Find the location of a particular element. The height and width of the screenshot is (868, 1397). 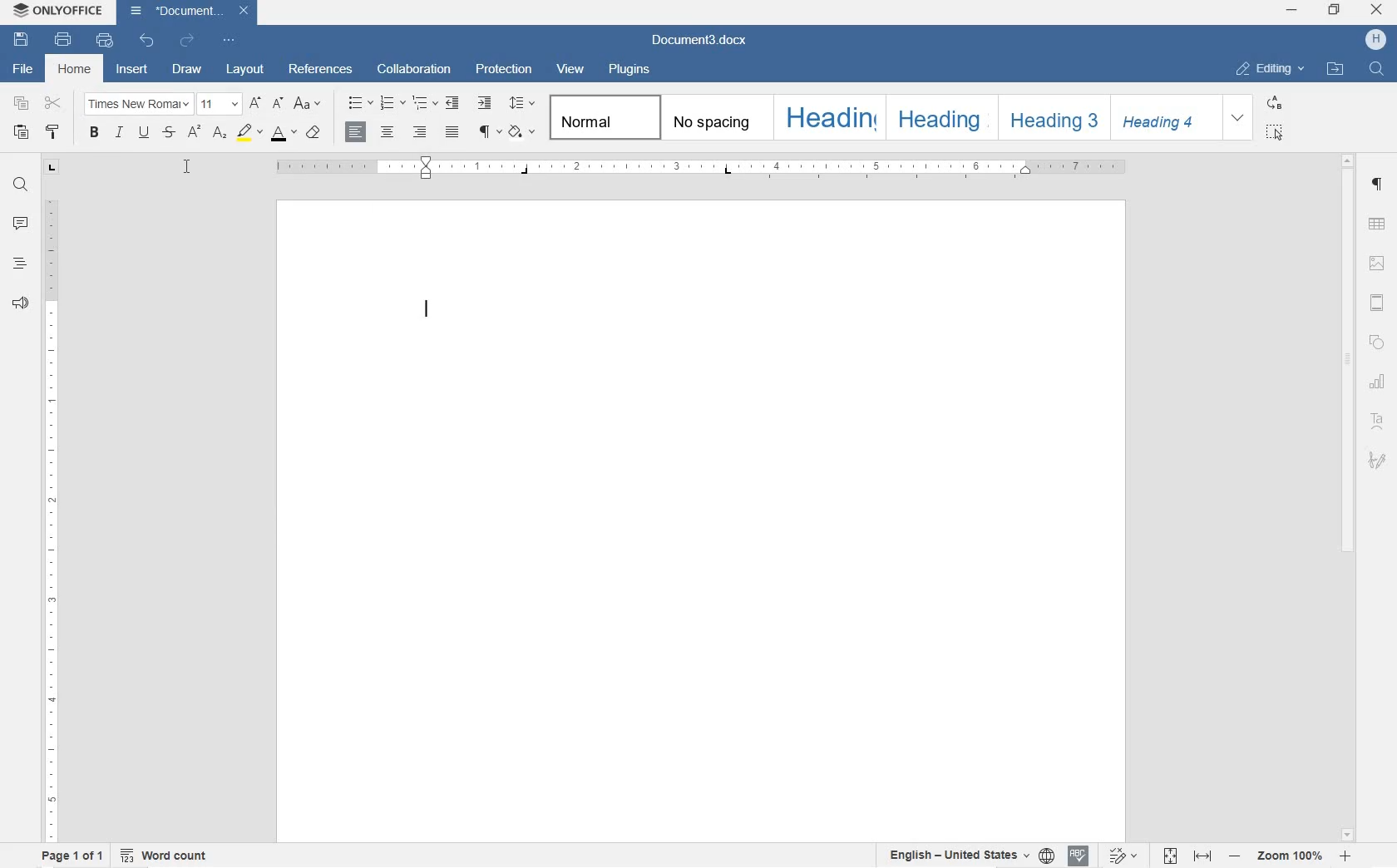

HEADERS & FOOTERS is located at coordinates (1377, 306).